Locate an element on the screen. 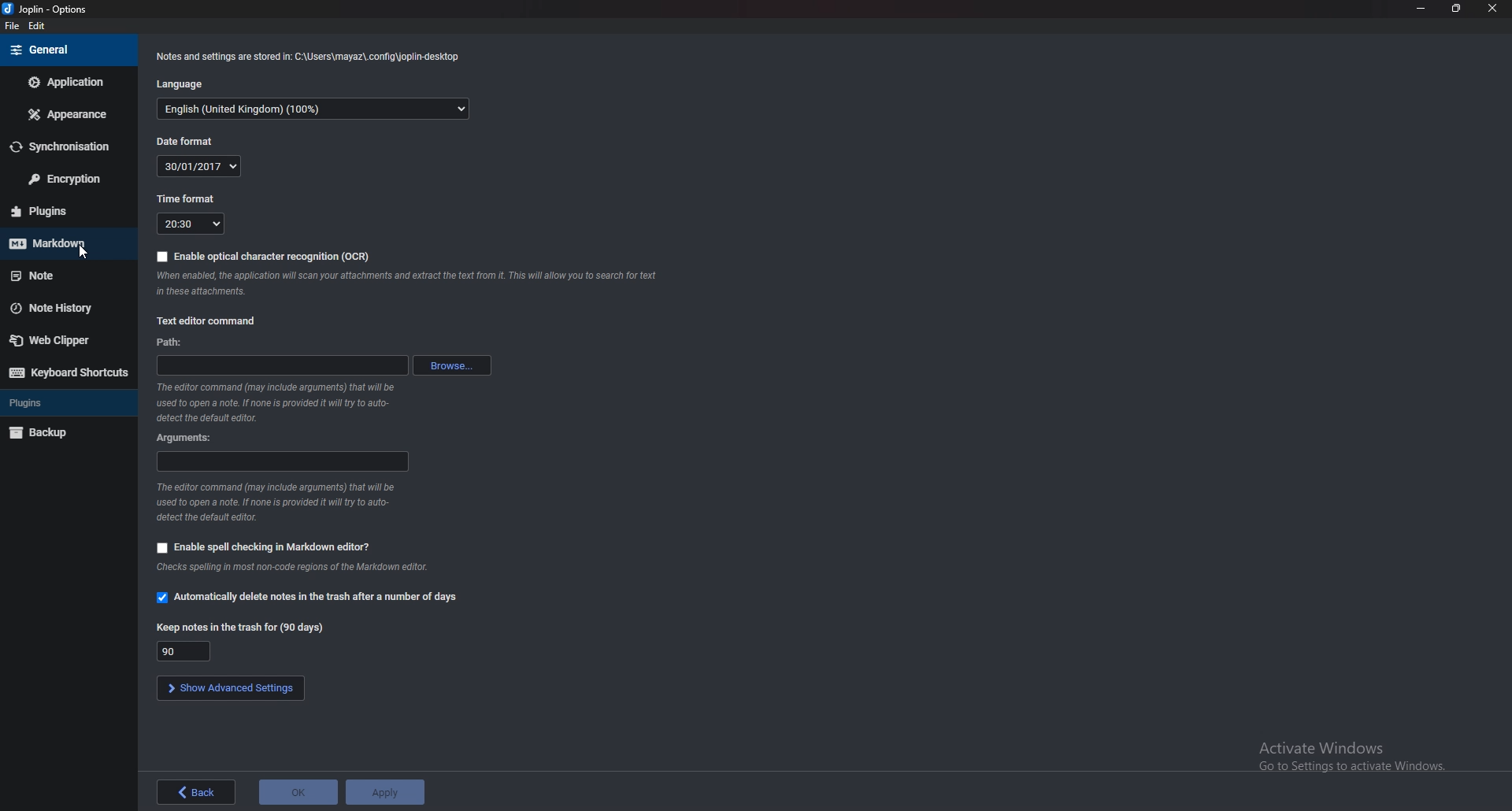 This screenshot has height=811, width=1512. Automatically delete notes in the trash after a number of days is located at coordinates (308, 598).